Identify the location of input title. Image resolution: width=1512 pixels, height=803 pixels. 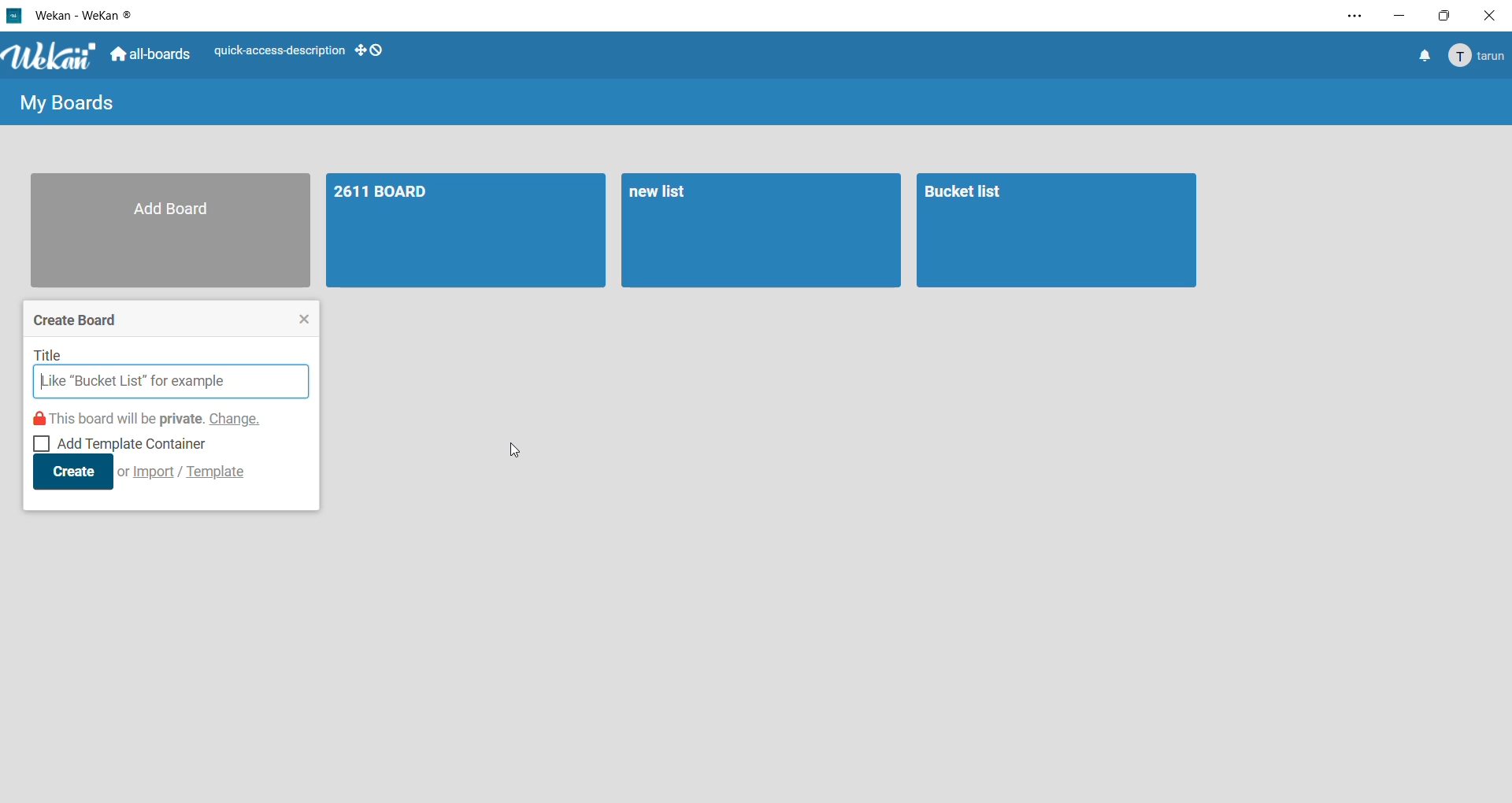
(170, 383).